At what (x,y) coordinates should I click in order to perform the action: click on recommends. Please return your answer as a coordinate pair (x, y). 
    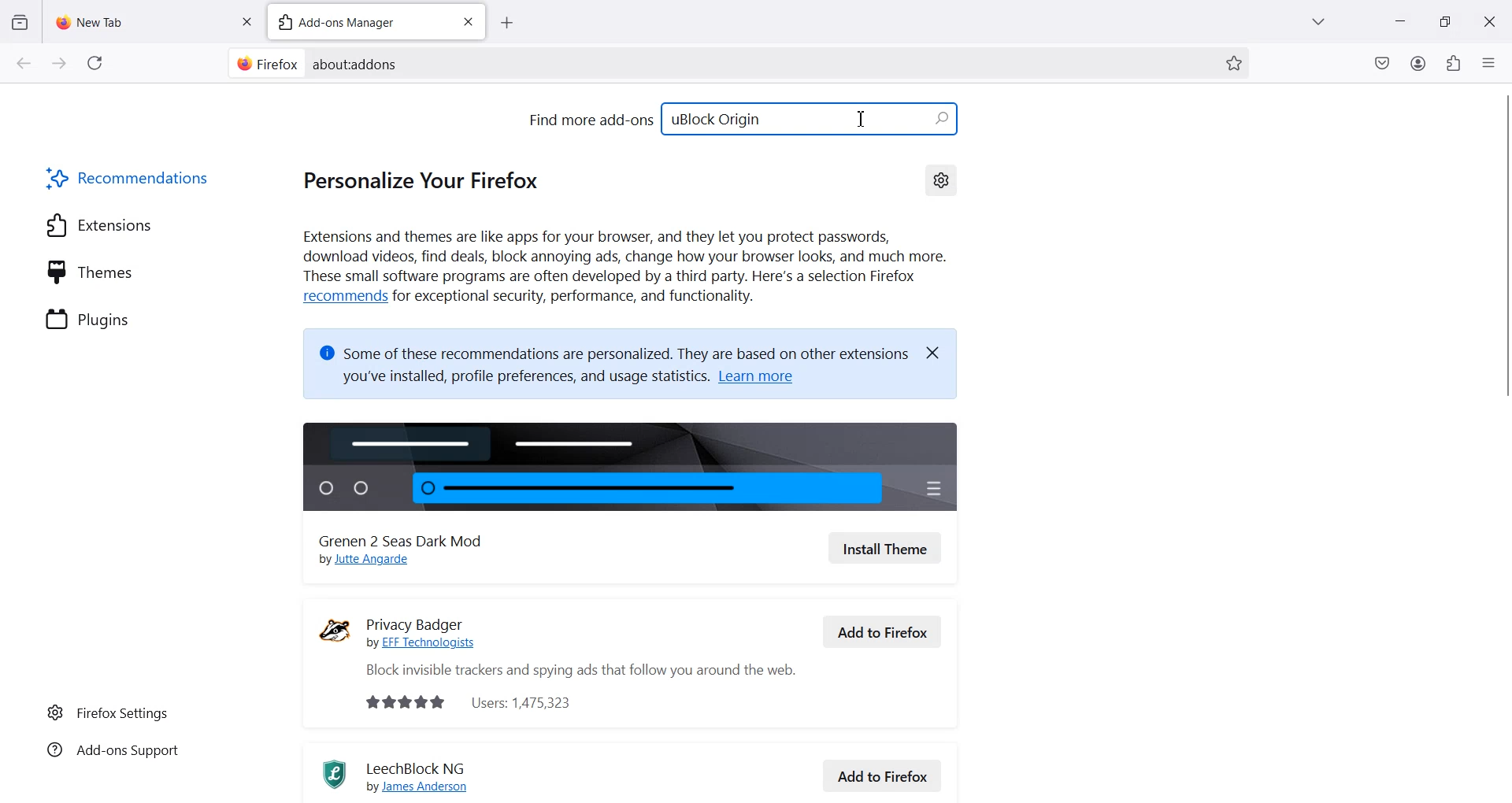
    Looking at the image, I should click on (342, 297).